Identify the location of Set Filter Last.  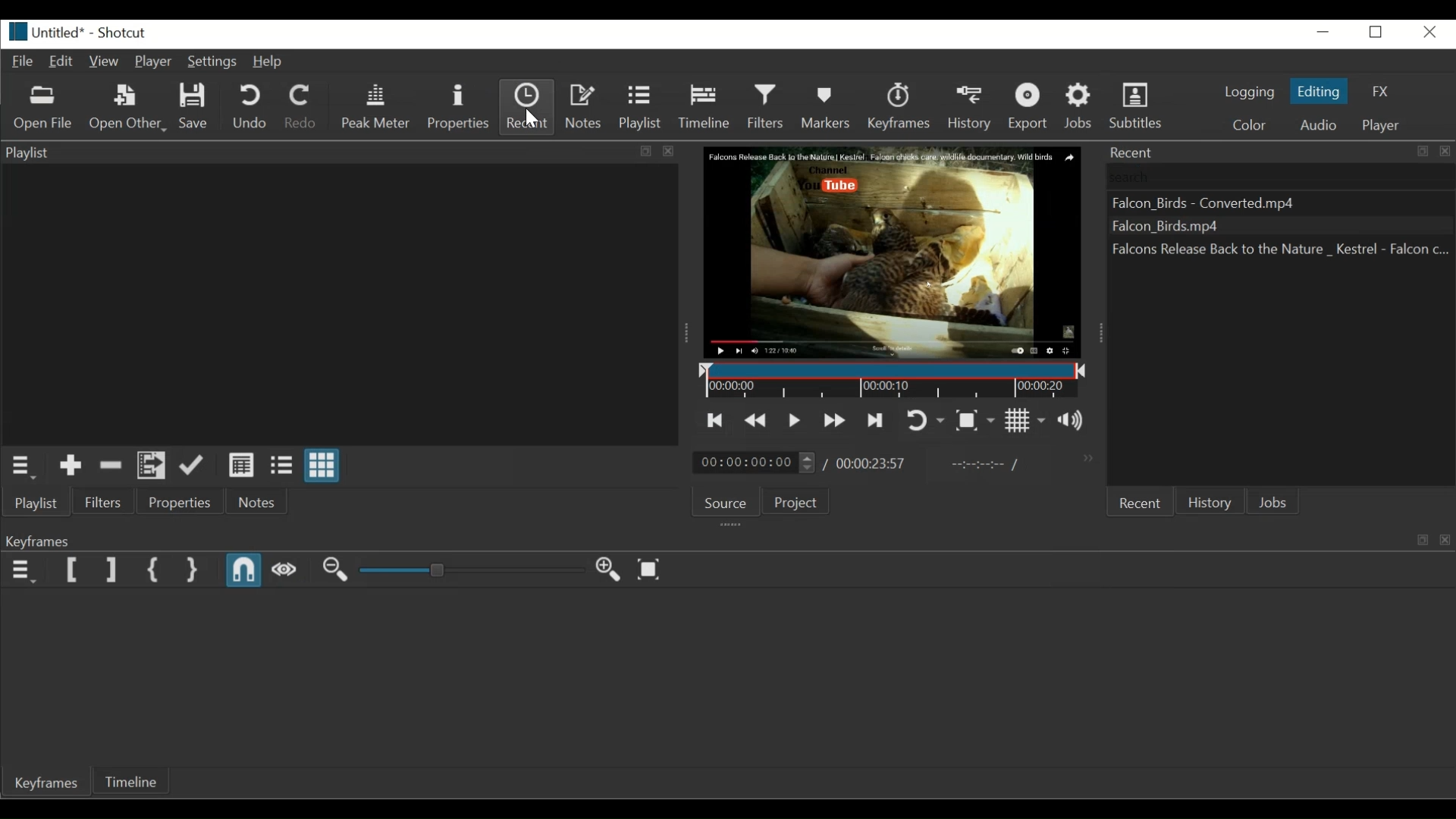
(112, 570).